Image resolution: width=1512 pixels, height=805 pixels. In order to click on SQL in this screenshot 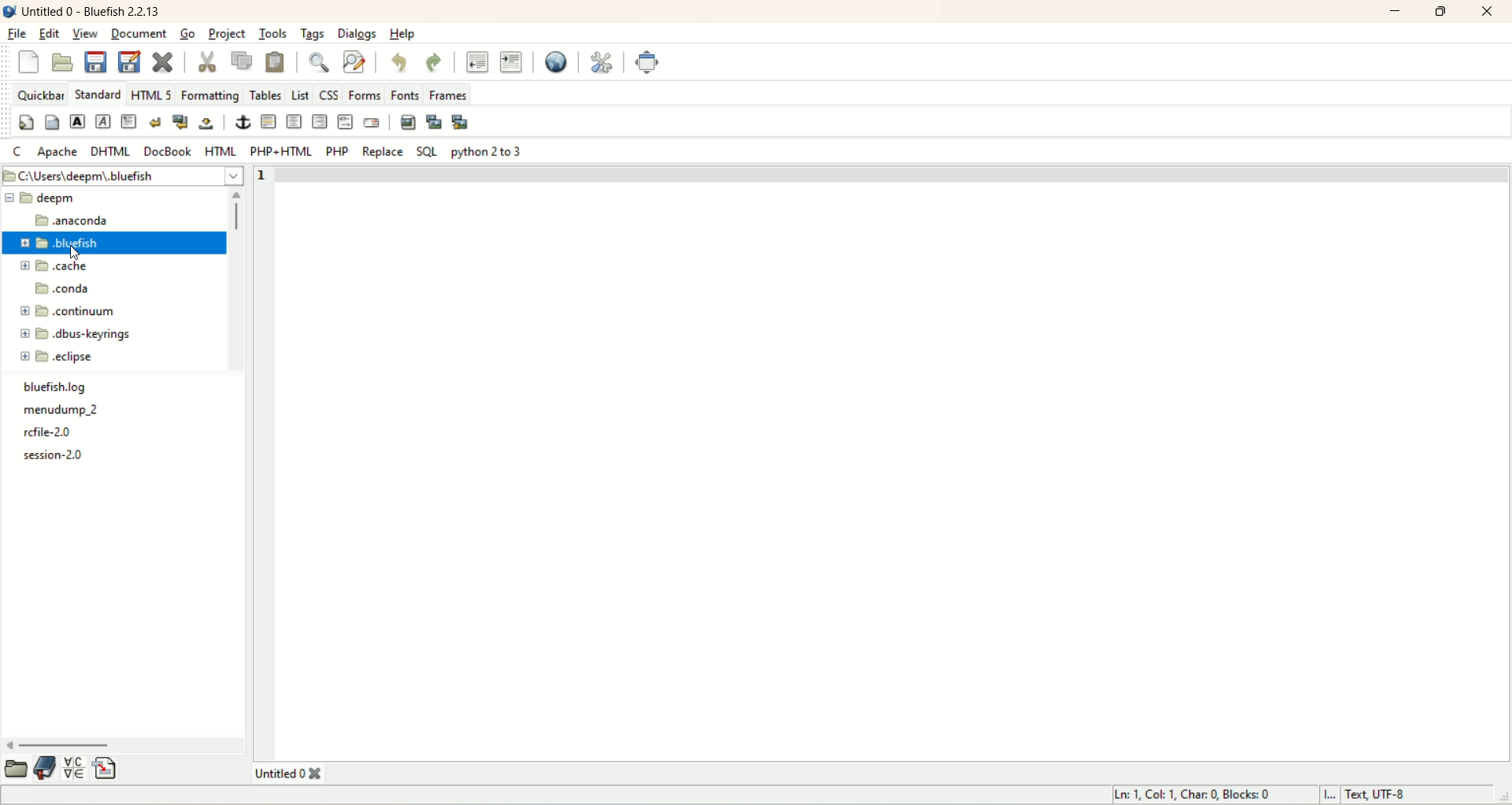, I will do `click(427, 151)`.